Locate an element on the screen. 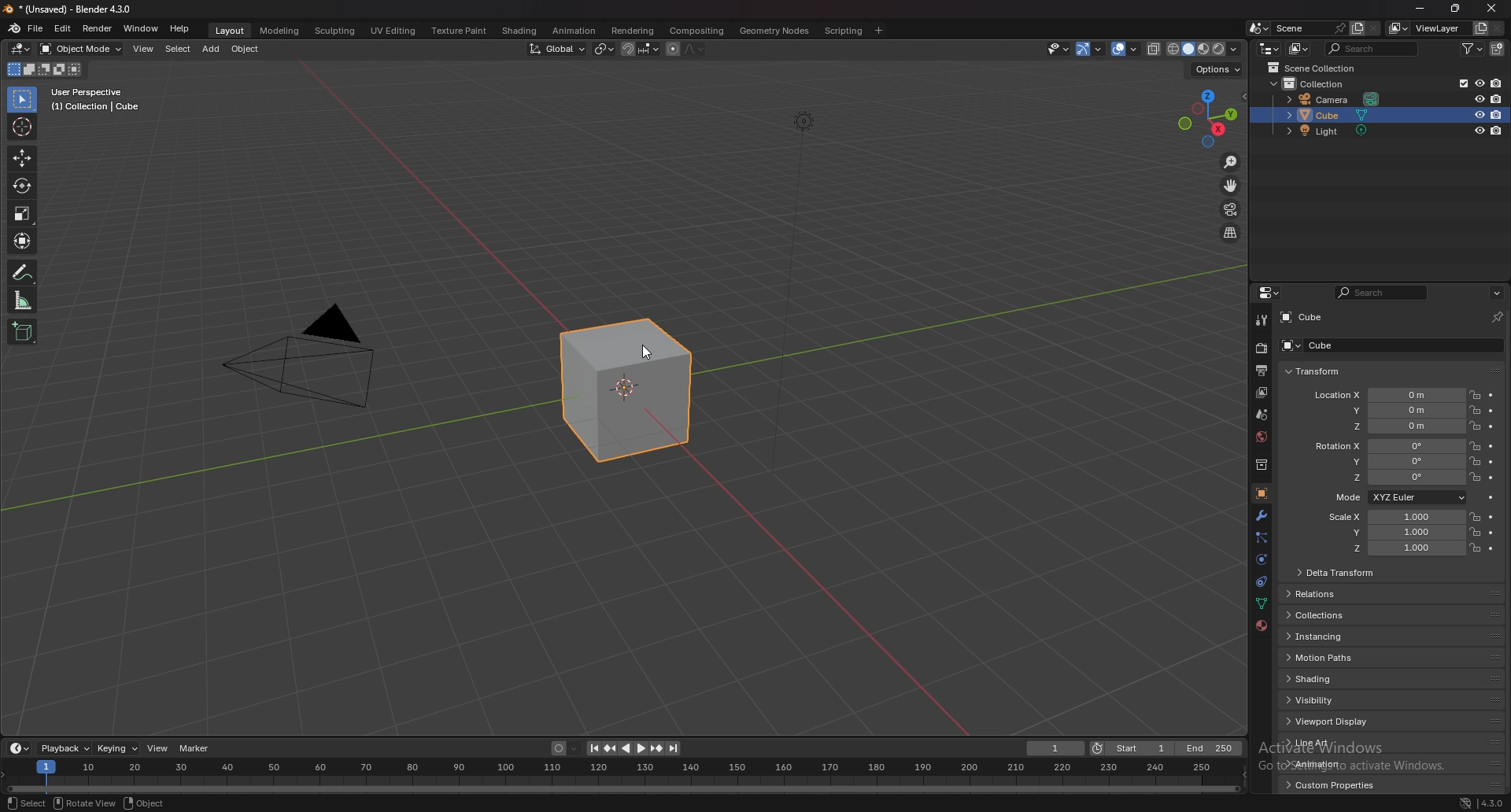 The height and width of the screenshot is (812, 1511). relations is located at coordinates (1320, 594).